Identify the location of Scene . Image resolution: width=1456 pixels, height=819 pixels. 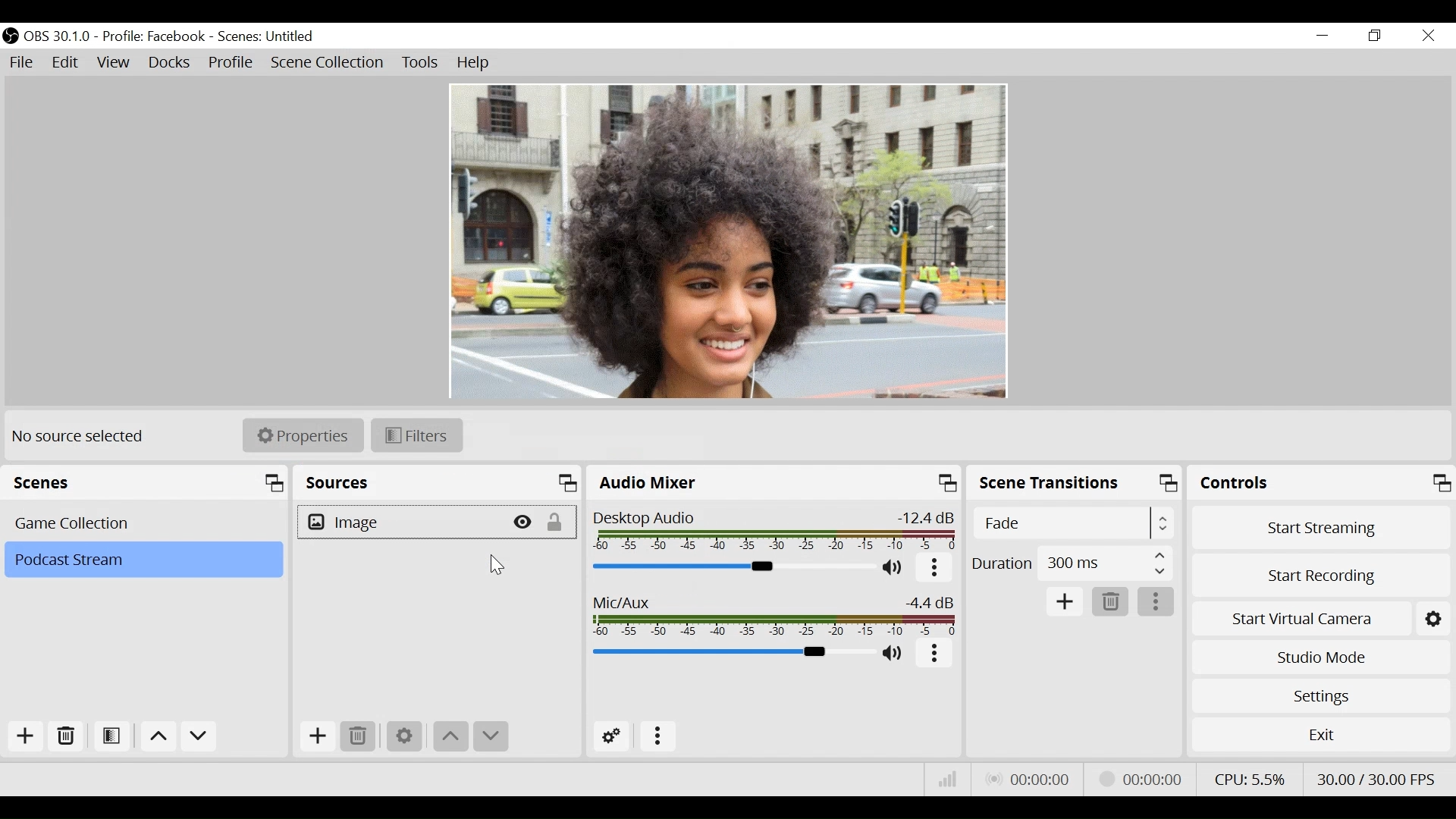
(142, 560).